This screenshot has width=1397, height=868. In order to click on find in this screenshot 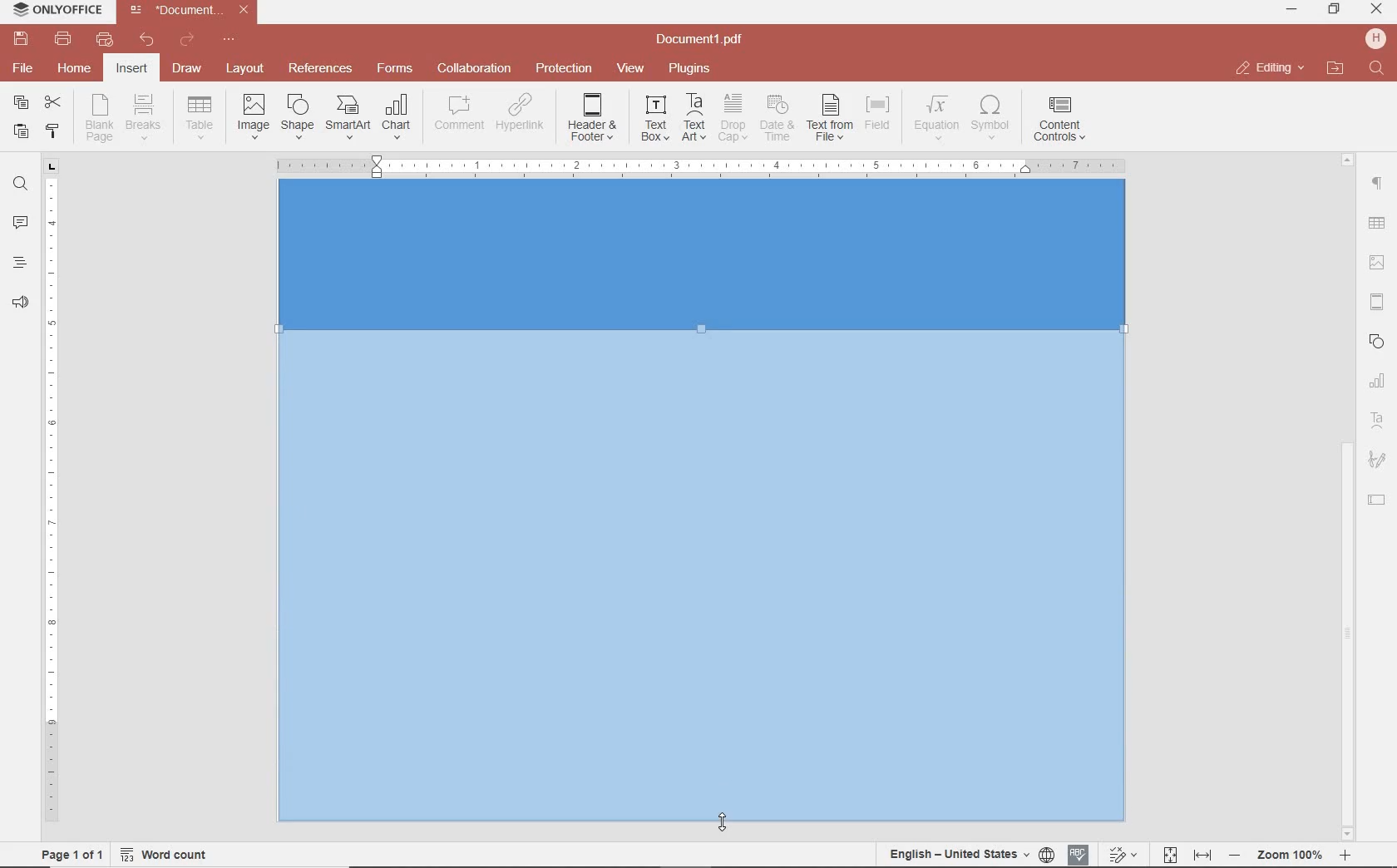, I will do `click(1379, 69)`.